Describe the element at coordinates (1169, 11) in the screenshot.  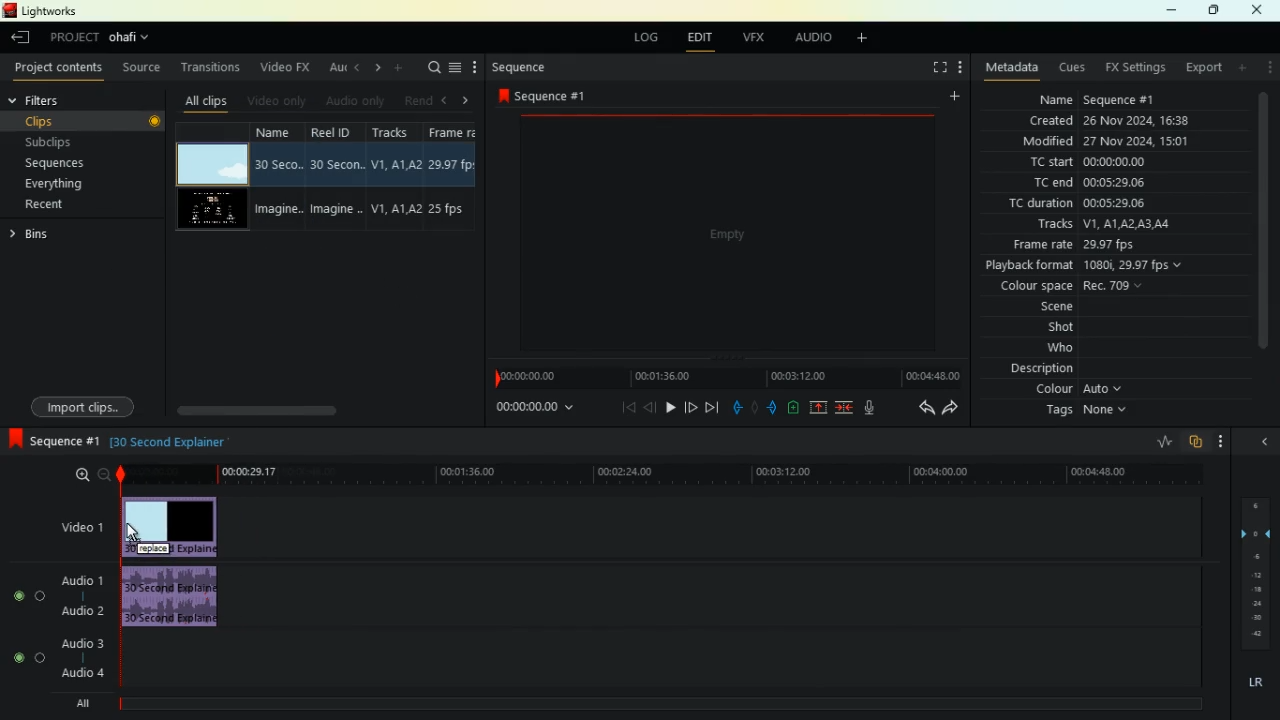
I see `minimize` at that location.